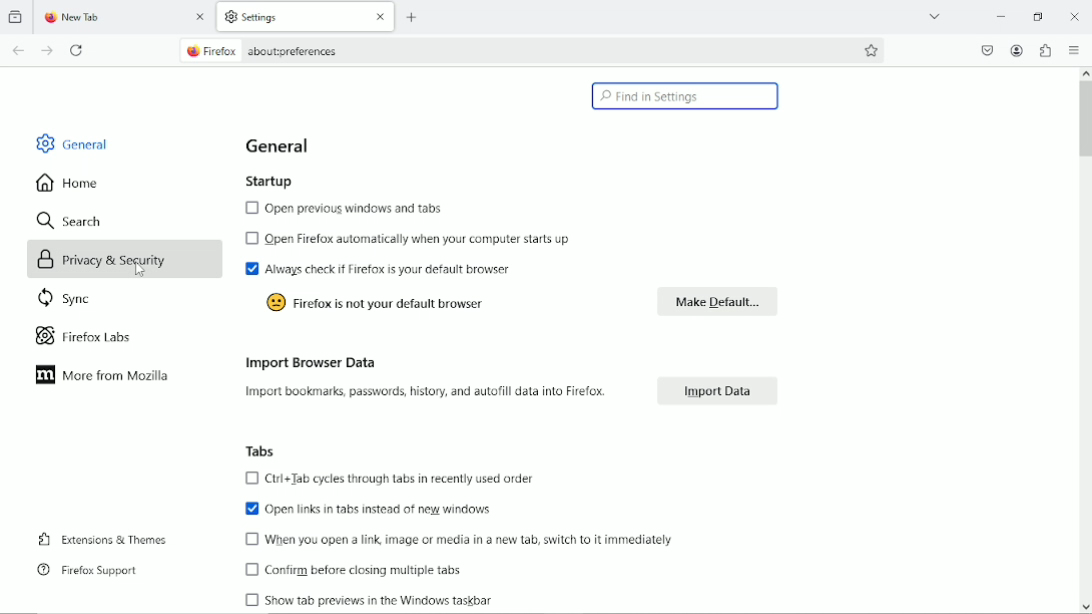 This screenshot has height=614, width=1092. What do you see at coordinates (252, 270) in the screenshot?
I see `enable checkbox` at bounding box center [252, 270].